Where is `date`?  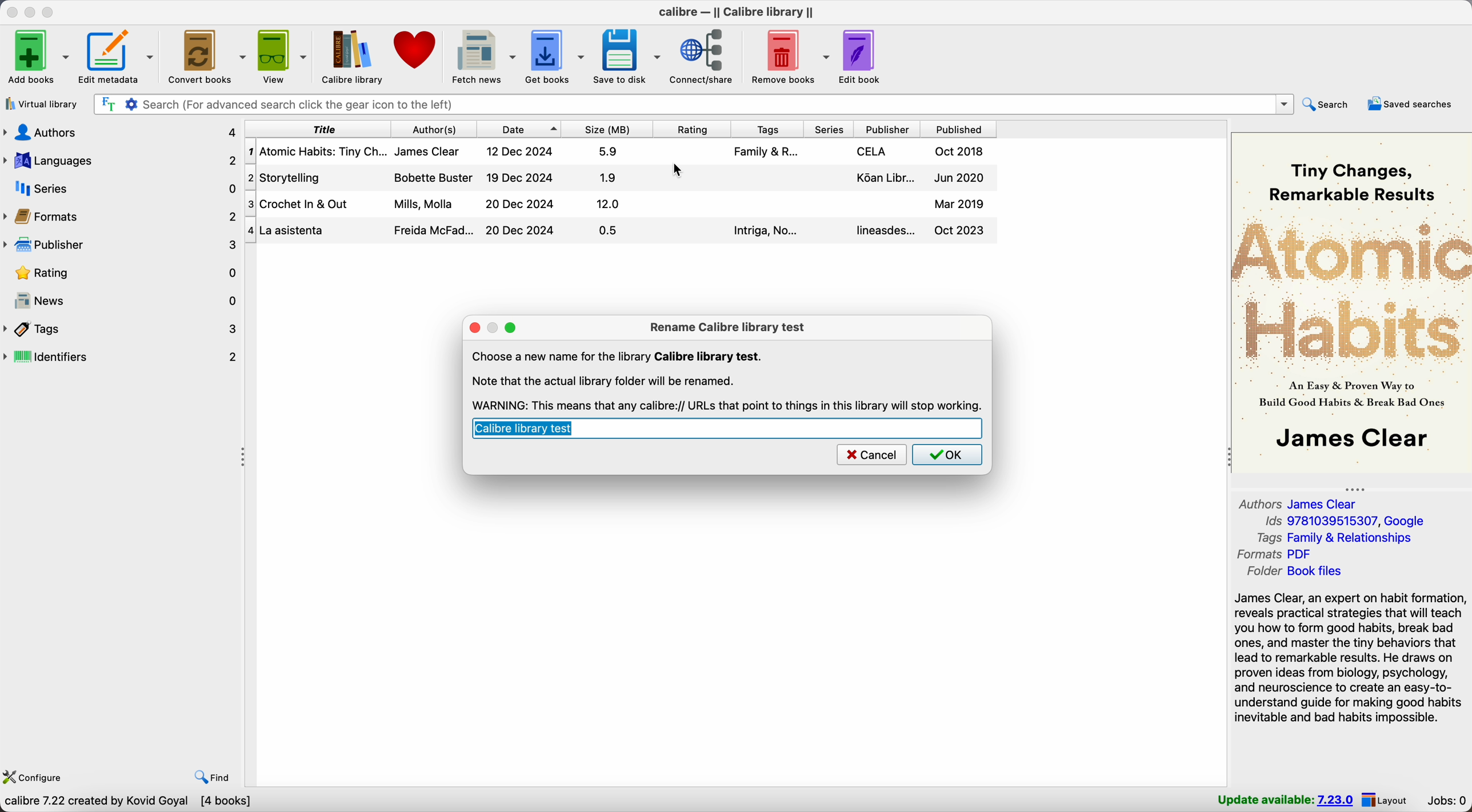 date is located at coordinates (519, 129).